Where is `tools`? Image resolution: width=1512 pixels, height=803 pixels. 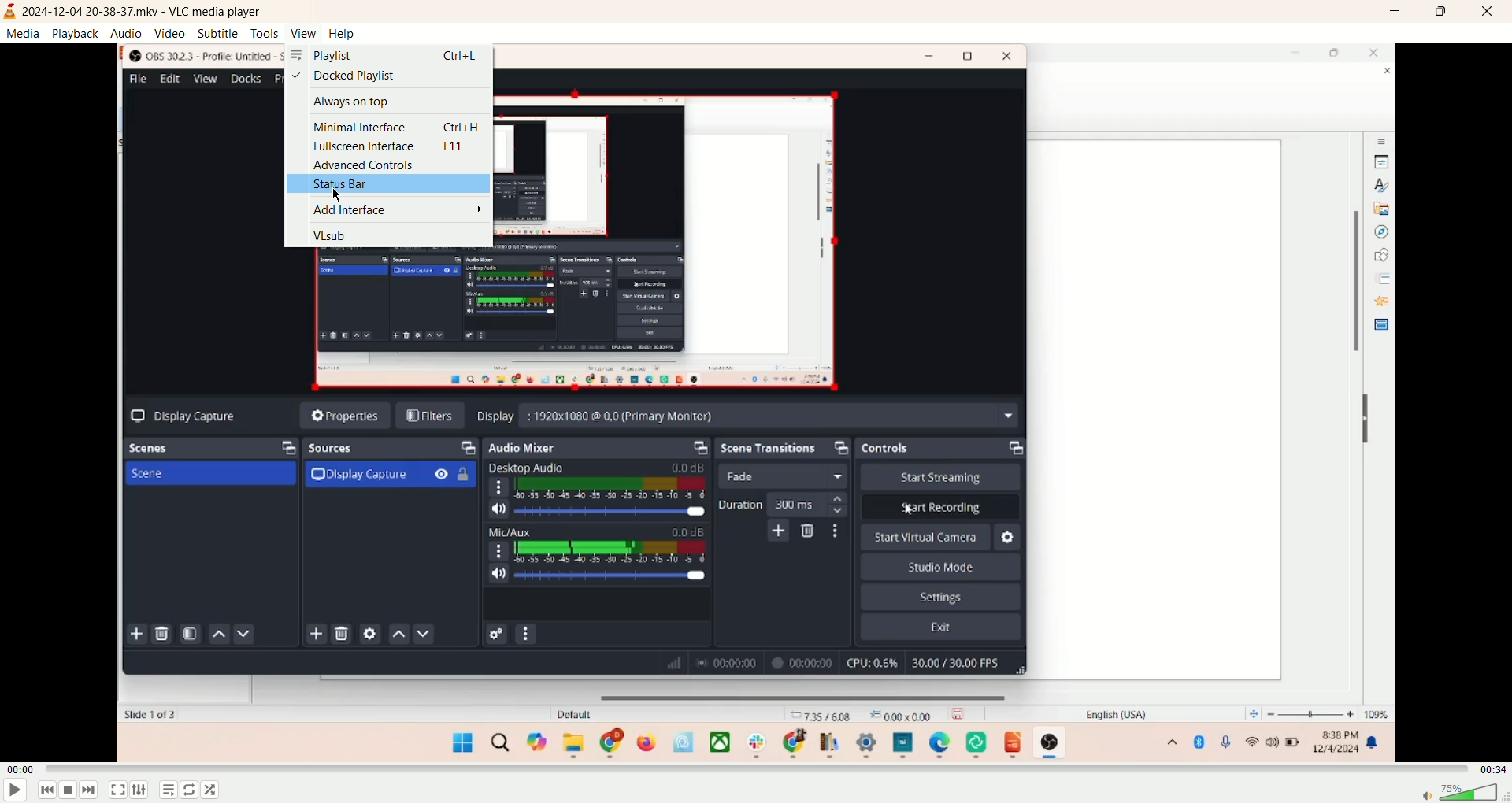 tools is located at coordinates (264, 33).